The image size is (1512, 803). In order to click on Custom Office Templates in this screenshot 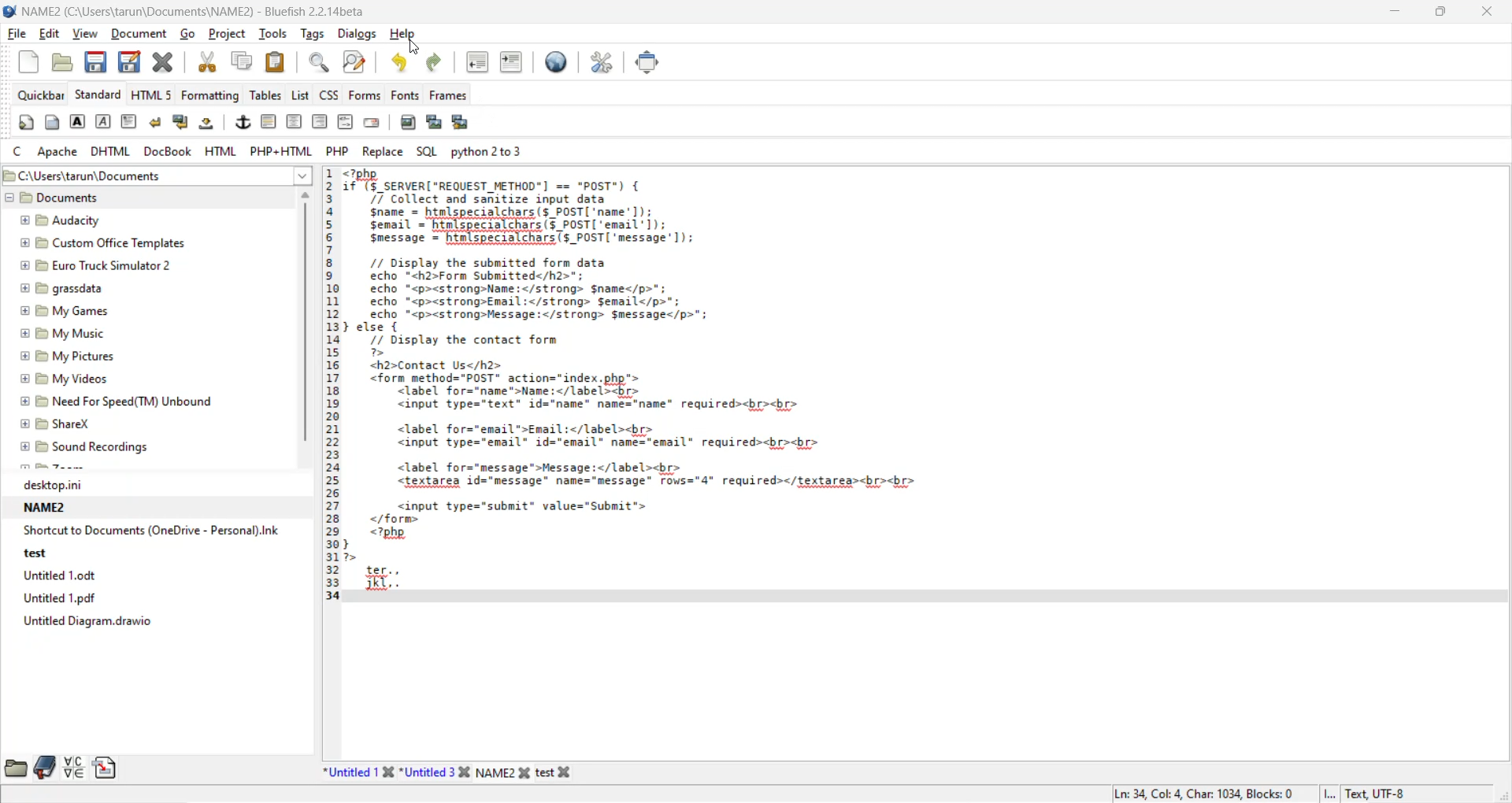, I will do `click(95, 245)`.